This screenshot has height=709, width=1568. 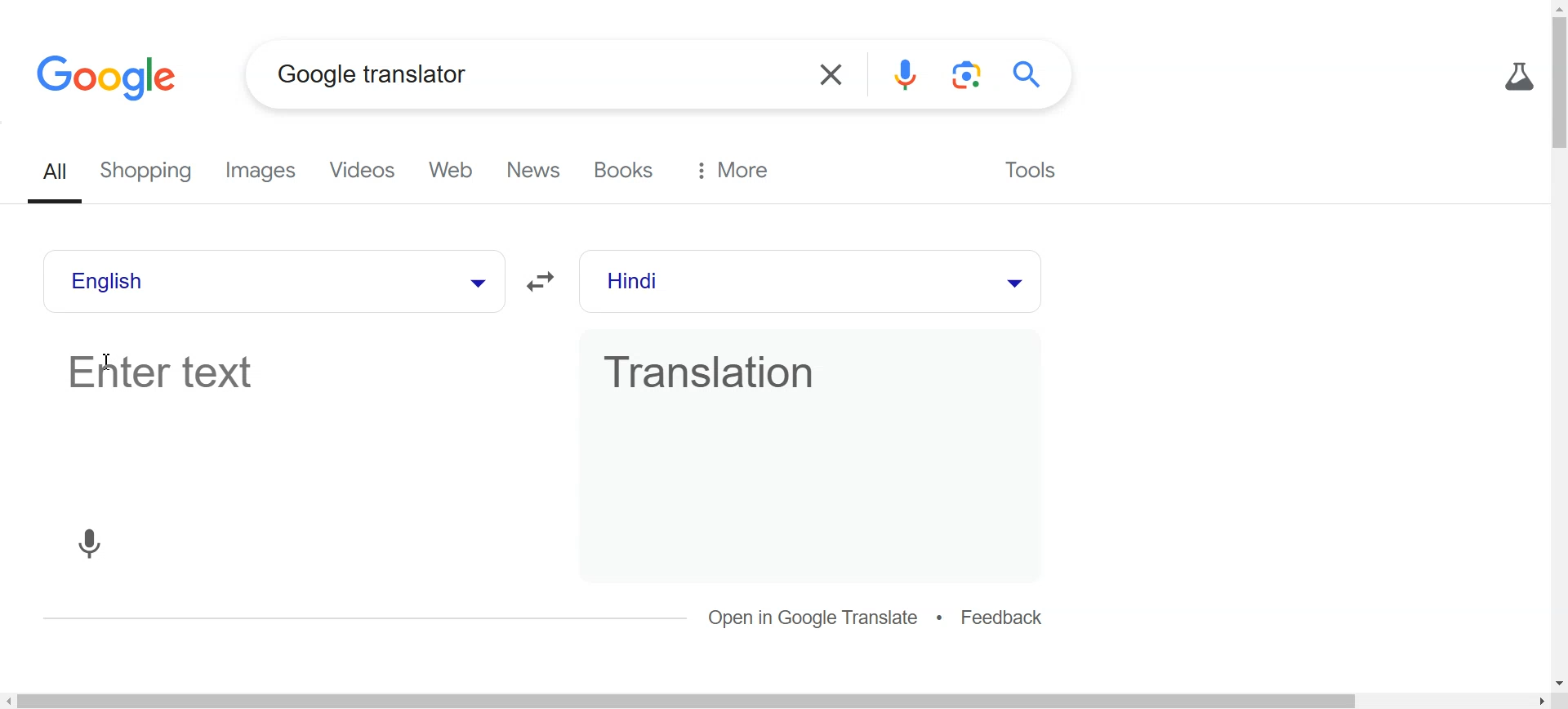 I want to click on Web, so click(x=457, y=171).